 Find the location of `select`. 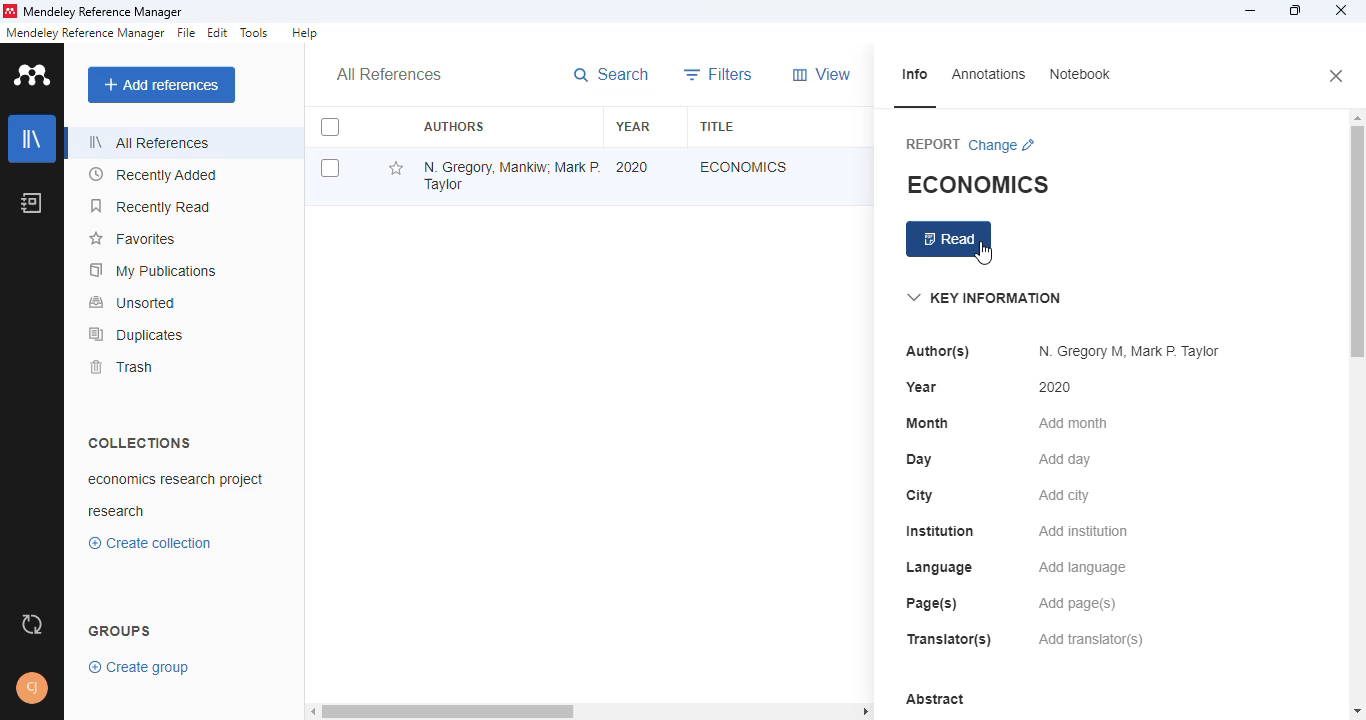

select is located at coordinates (330, 168).